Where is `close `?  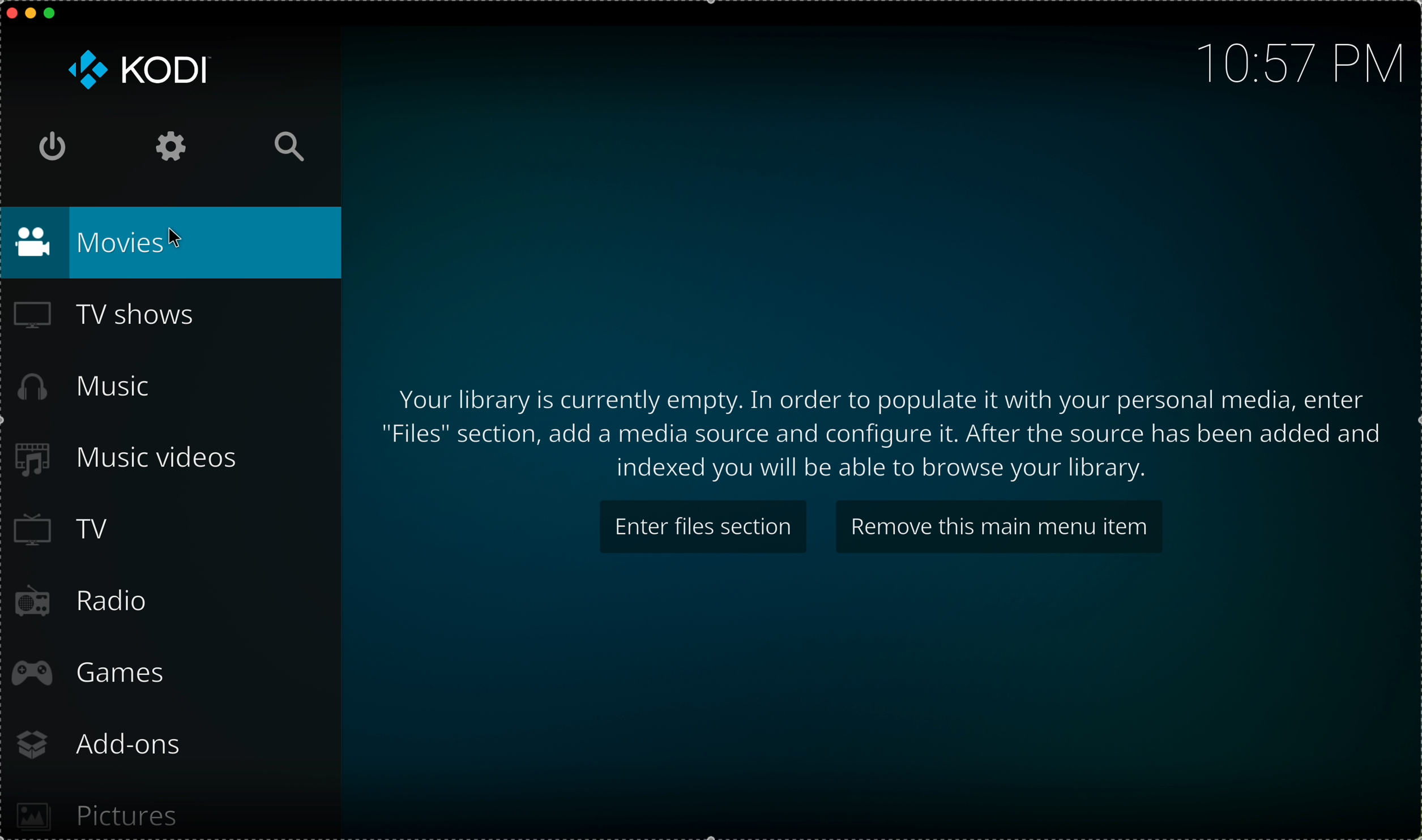
close  is located at coordinates (9, 12).